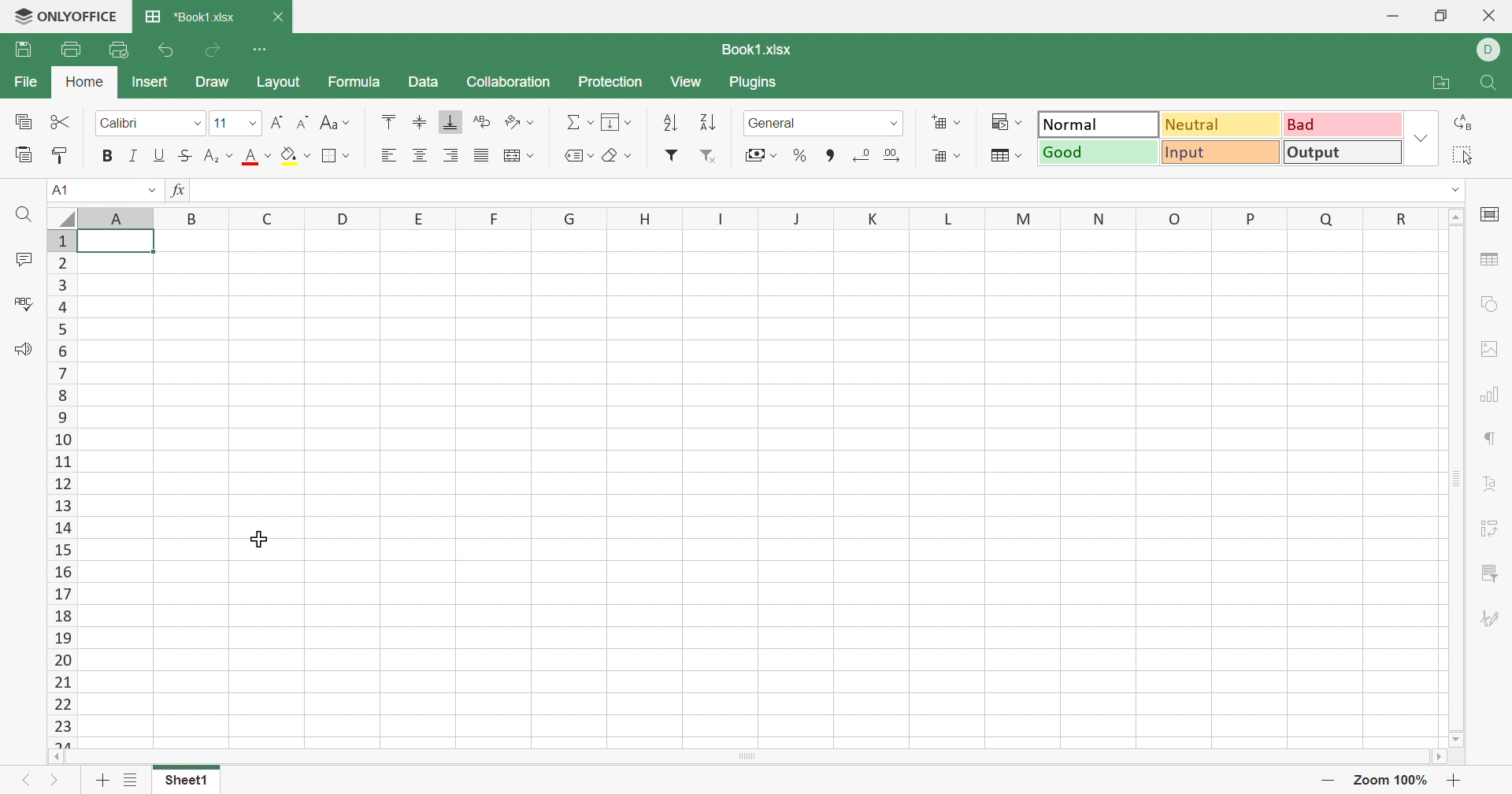  What do you see at coordinates (301, 121) in the screenshot?
I see `Decrement font size` at bounding box center [301, 121].